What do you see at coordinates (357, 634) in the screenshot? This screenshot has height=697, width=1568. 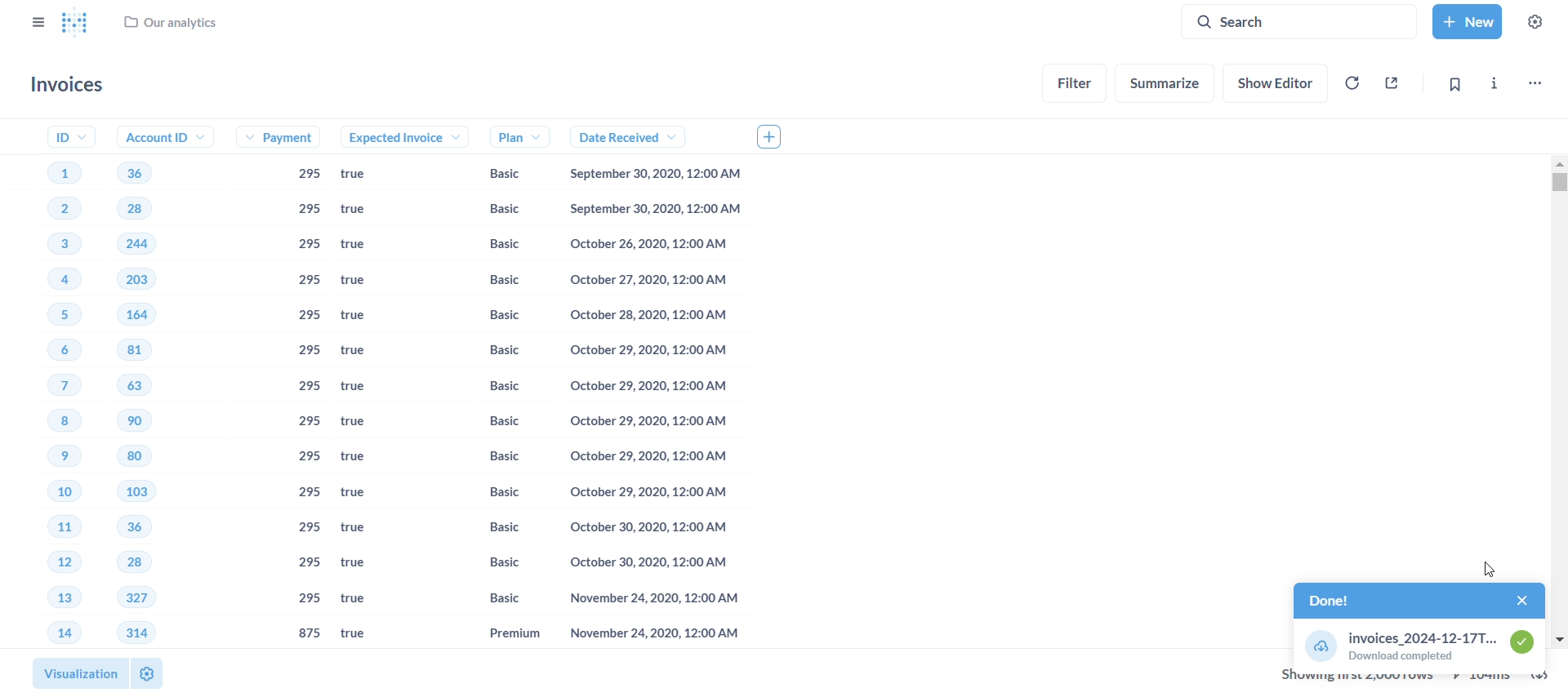 I see `true` at bounding box center [357, 634].